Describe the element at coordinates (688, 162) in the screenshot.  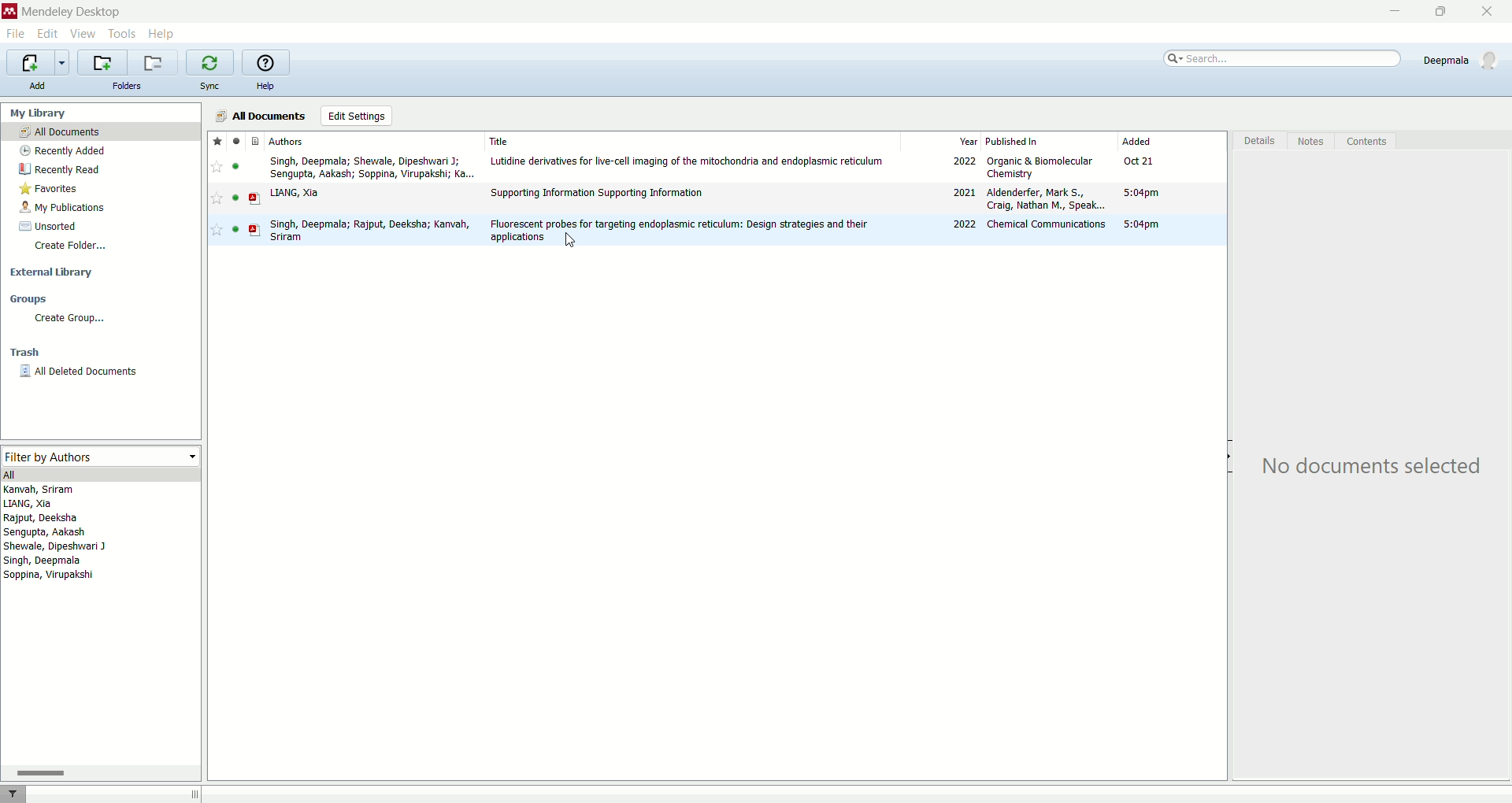
I see `Lutidine derivatives for live-cell imaging of the mitochondria and endoplasmic reticulum` at that location.